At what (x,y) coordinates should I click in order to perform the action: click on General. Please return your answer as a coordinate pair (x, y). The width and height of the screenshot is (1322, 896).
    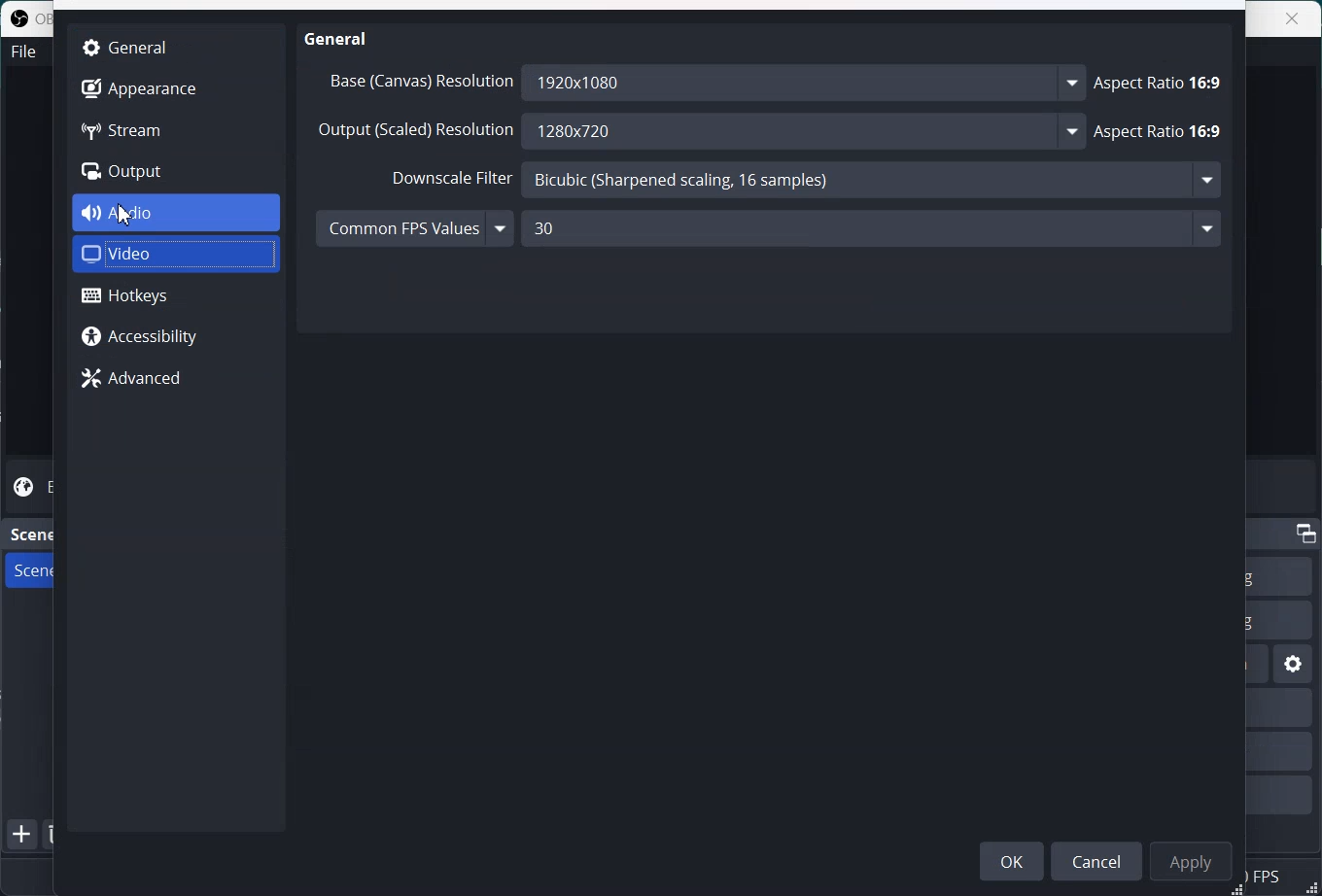
    Looking at the image, I should click on (337, 41).